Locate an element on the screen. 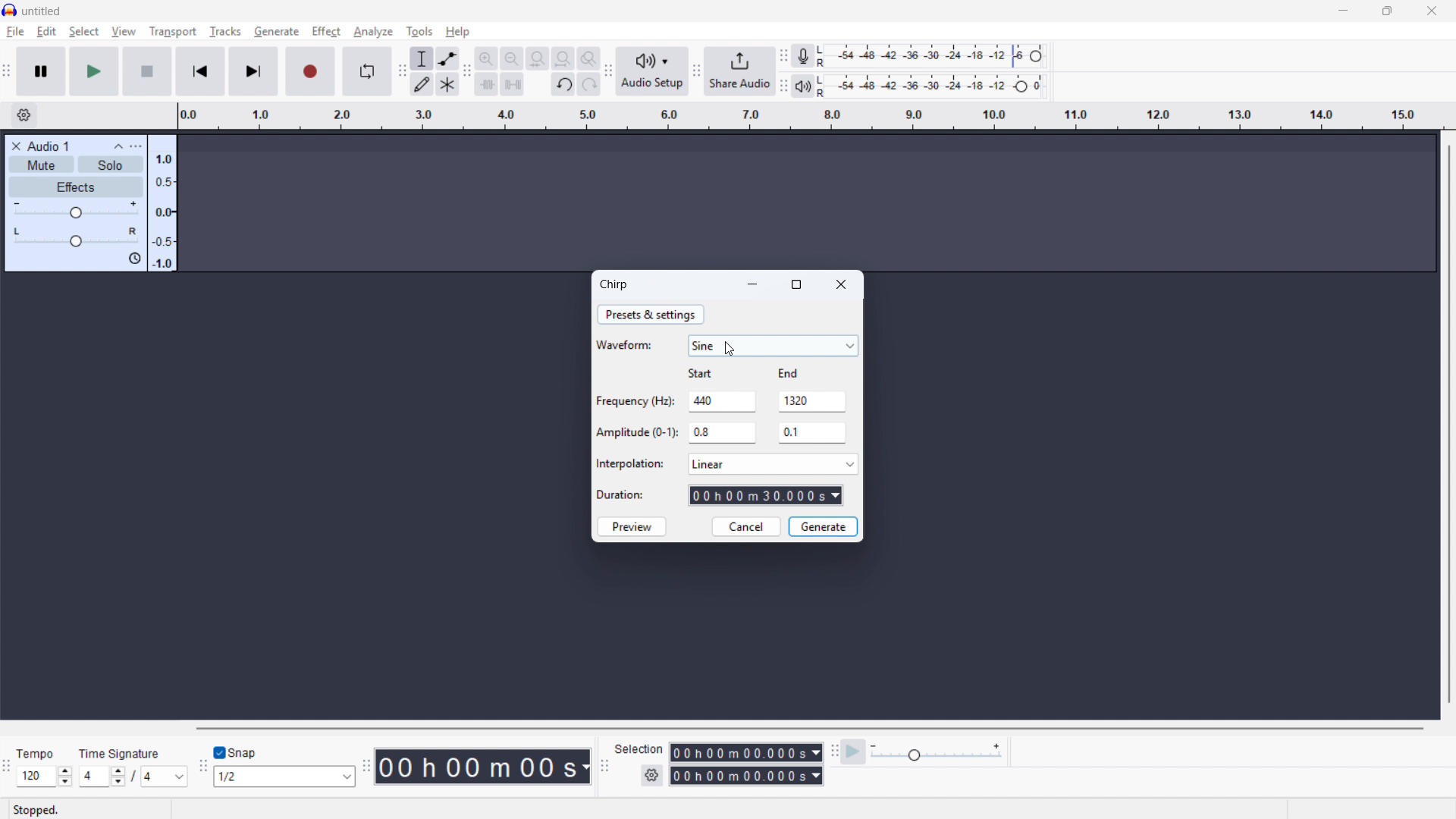 The image size is (1456, 819). Snapping toolbar  is located at coordinates (203, 769).